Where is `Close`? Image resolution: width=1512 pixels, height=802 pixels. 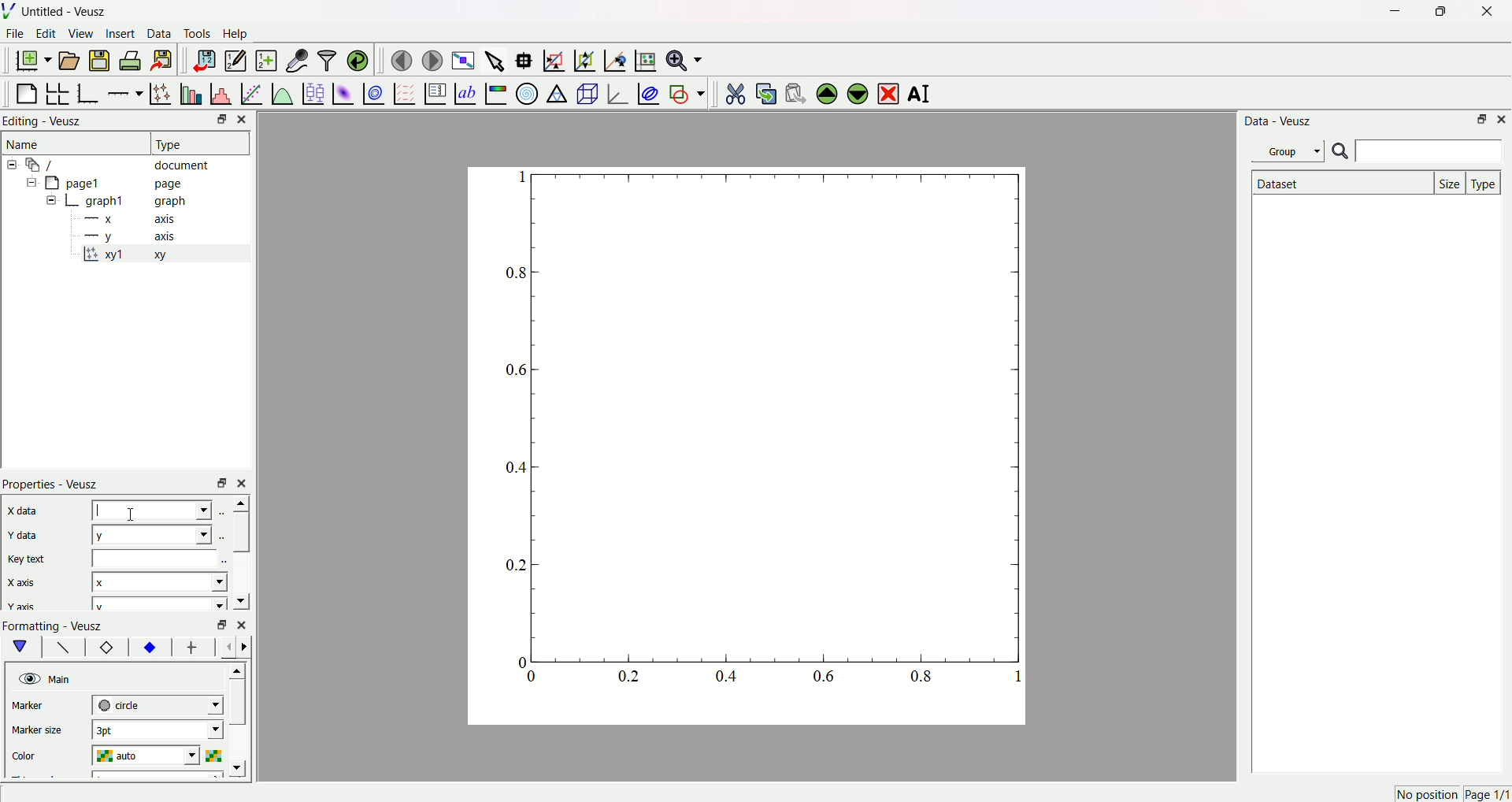
Close is located at coordinates (246, 119).